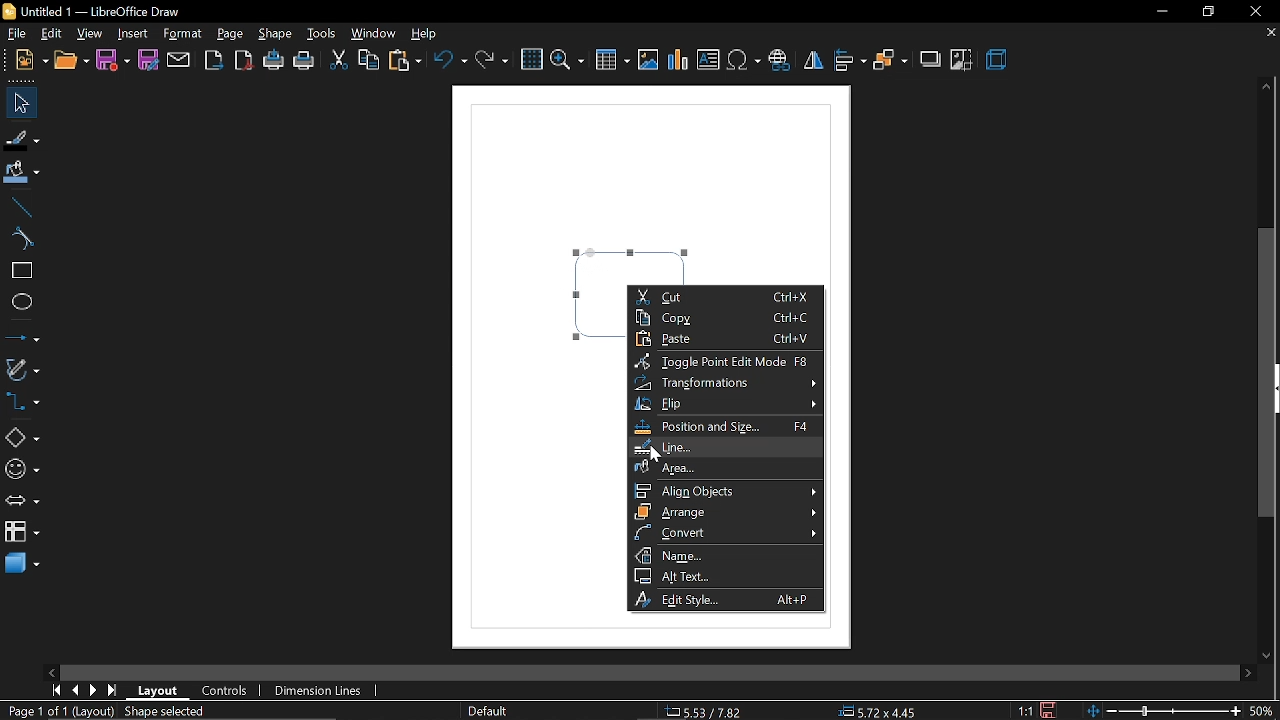 This screenshot has width=1280, height=720. Describe the element at coordinates (1267, 85) in the screenshot. I see `Move up` at that location.